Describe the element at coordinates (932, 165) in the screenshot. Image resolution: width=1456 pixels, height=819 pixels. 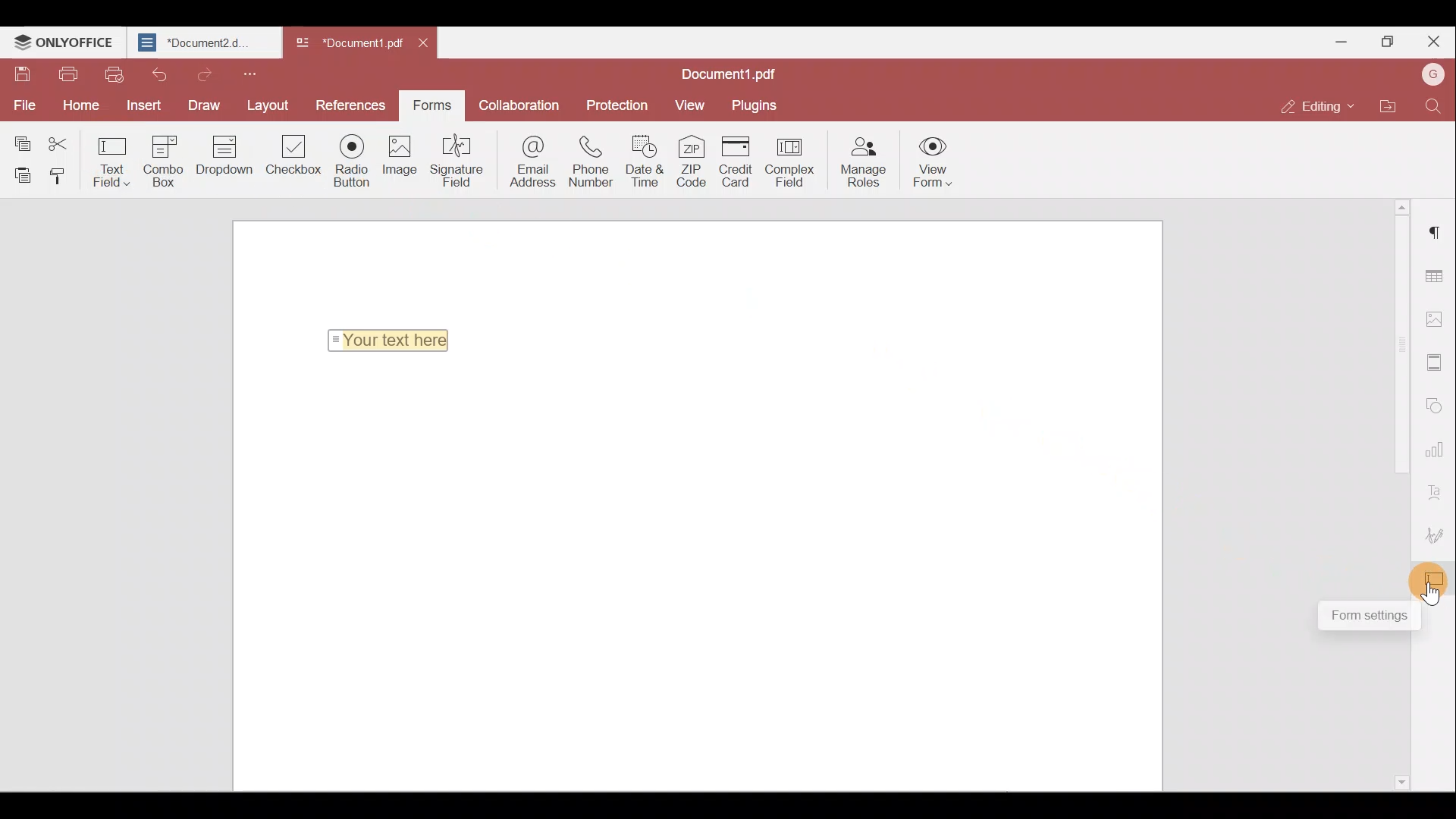
I see `View form` at that location.